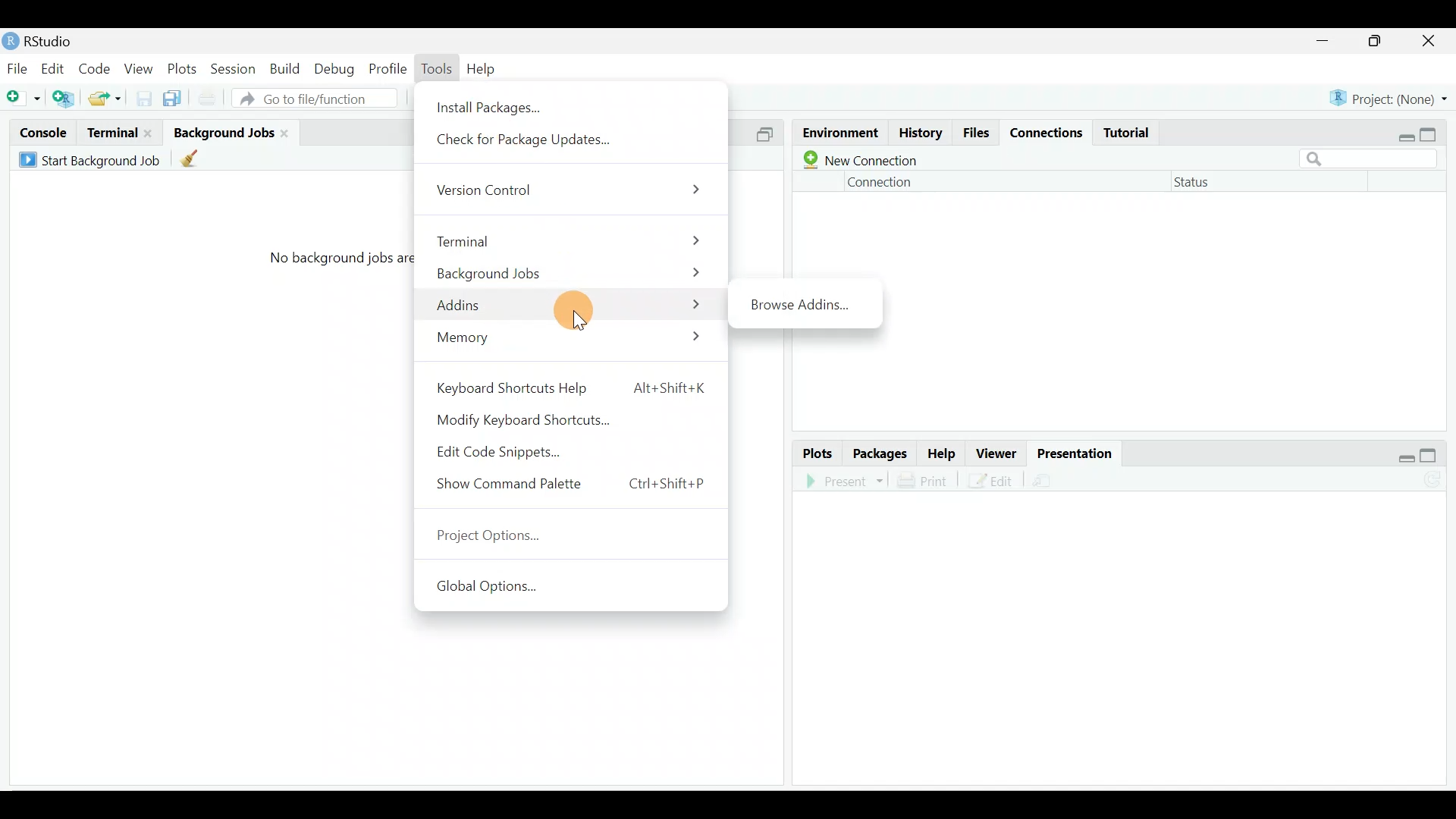 The image size is (1456, 819). What do you see at coordinates (287, 69) in the screenshot?
I see `Build` at bounding box center [287, 69].